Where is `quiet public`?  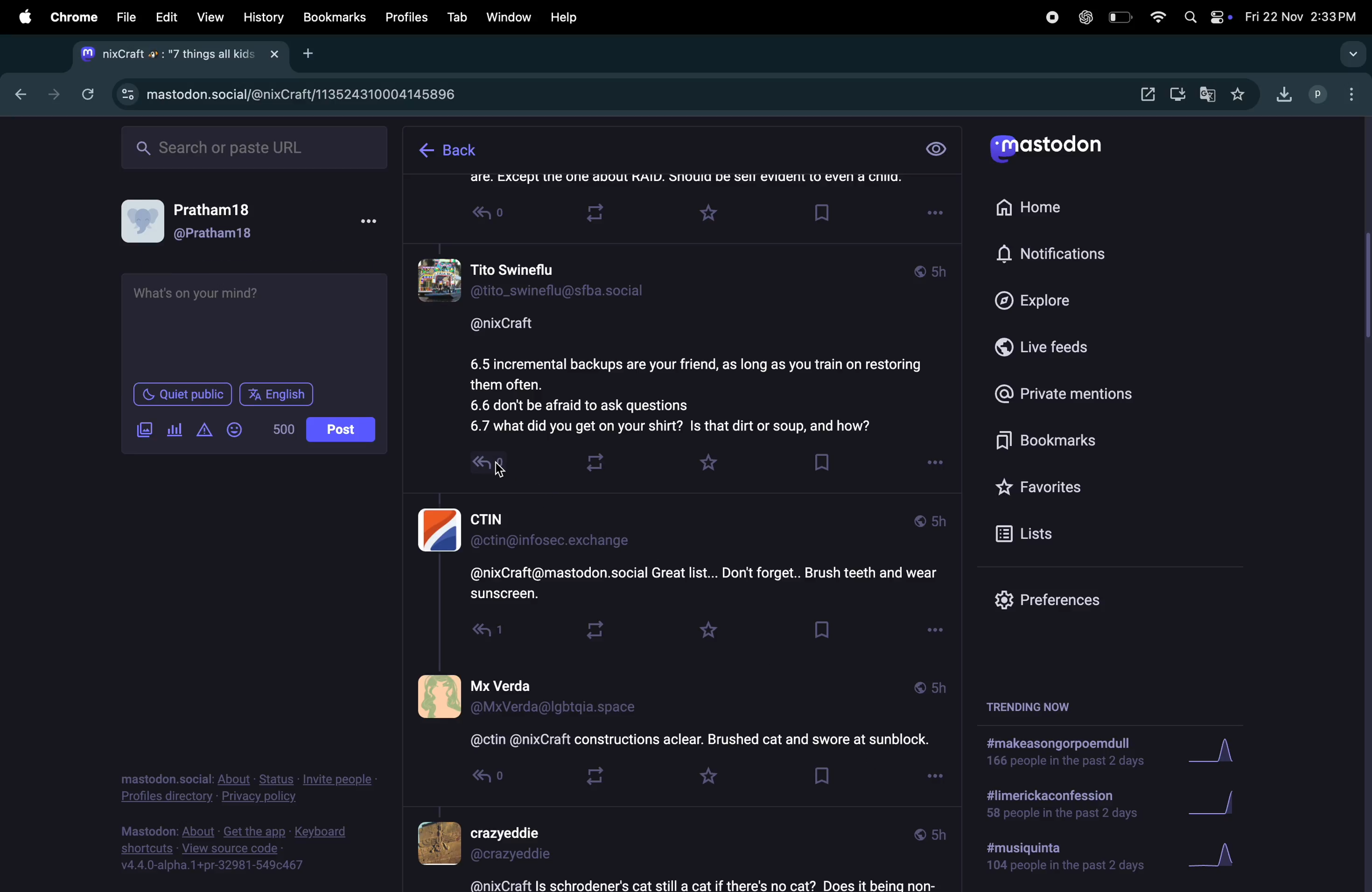
quiet public is located at coordinates (181, 394).